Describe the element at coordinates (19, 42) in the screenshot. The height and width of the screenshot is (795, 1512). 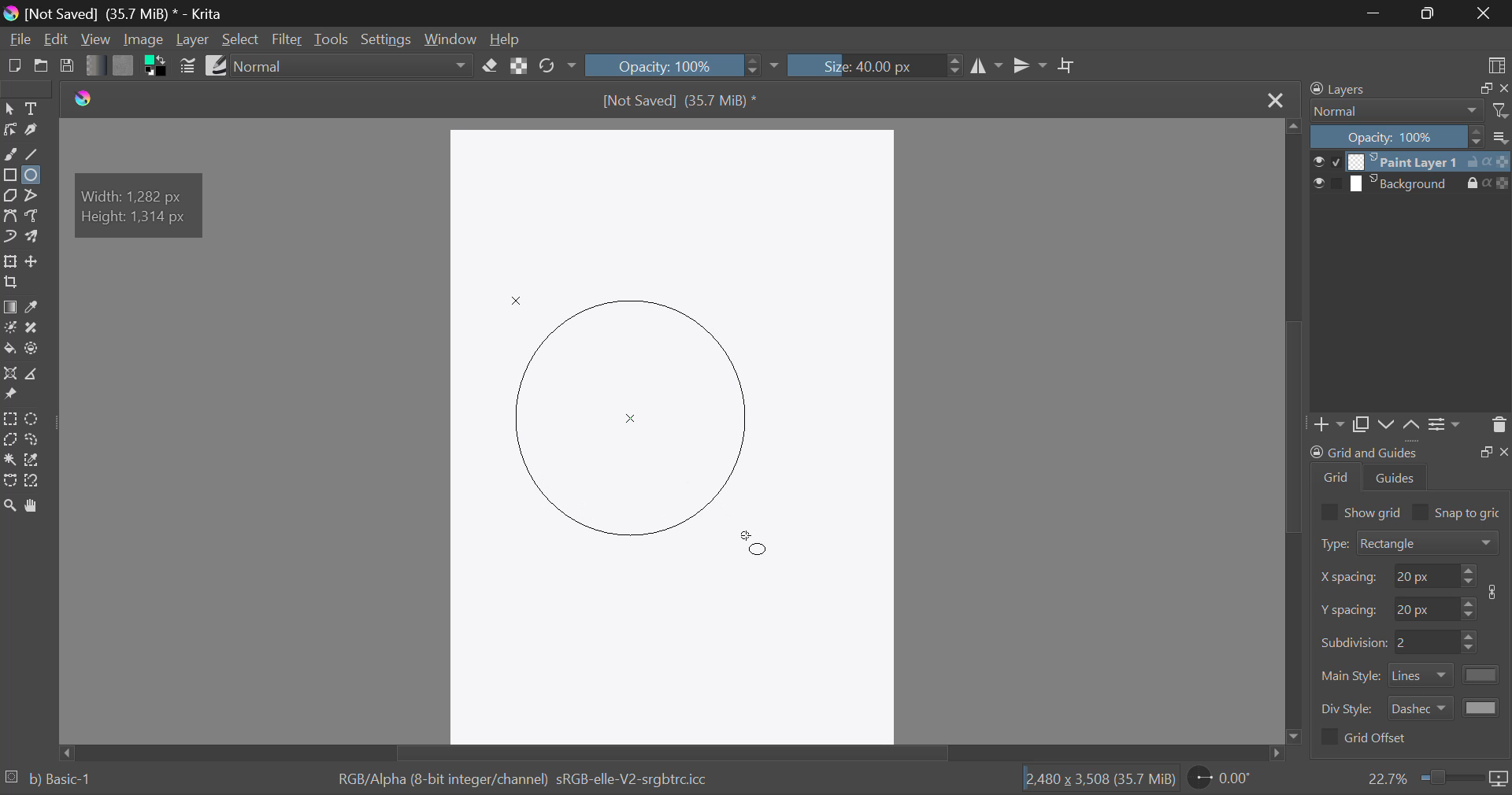
I see `File` at that location.